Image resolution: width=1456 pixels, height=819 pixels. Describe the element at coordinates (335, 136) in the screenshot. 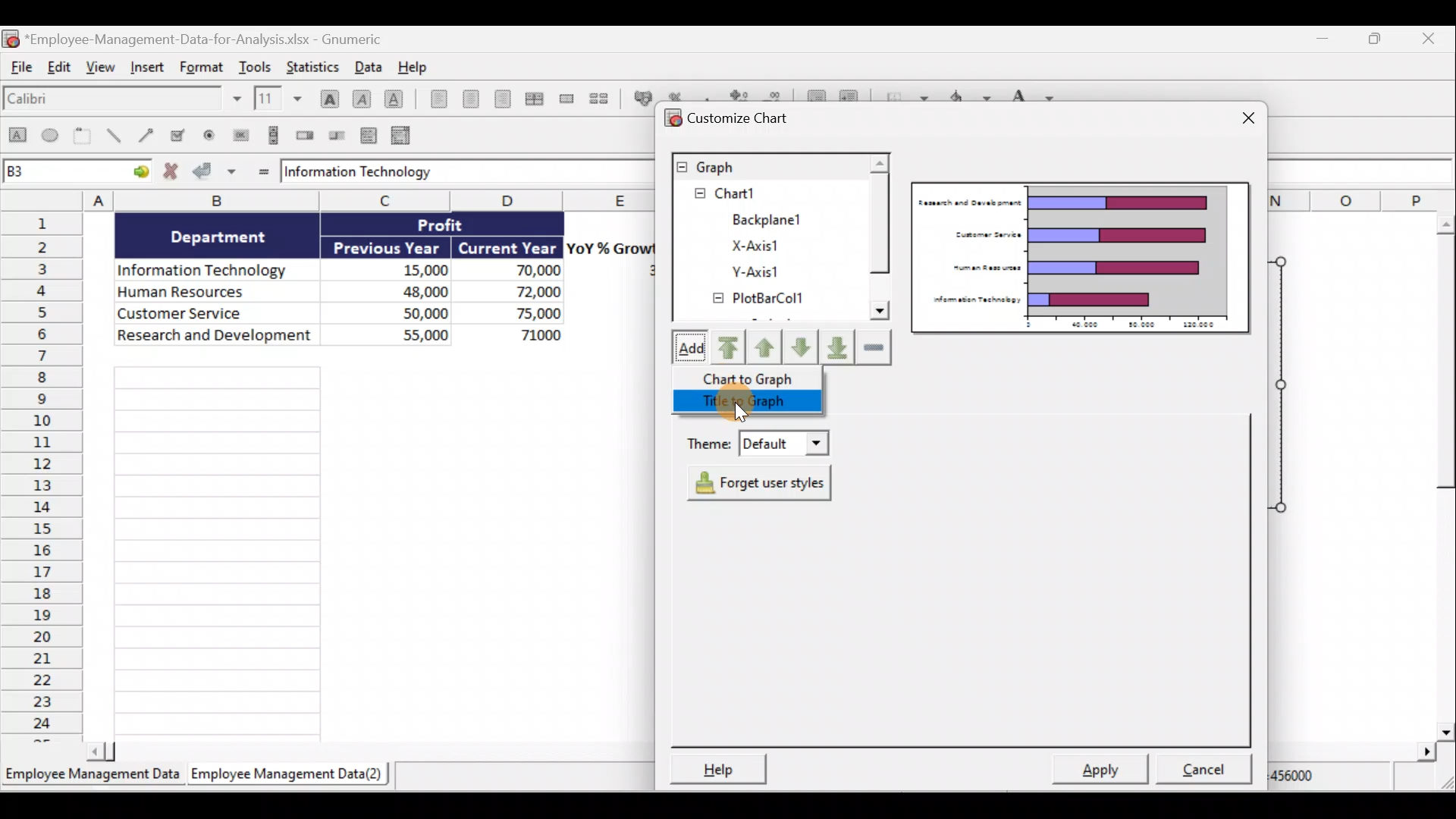

I see `Create a slider` at that location.